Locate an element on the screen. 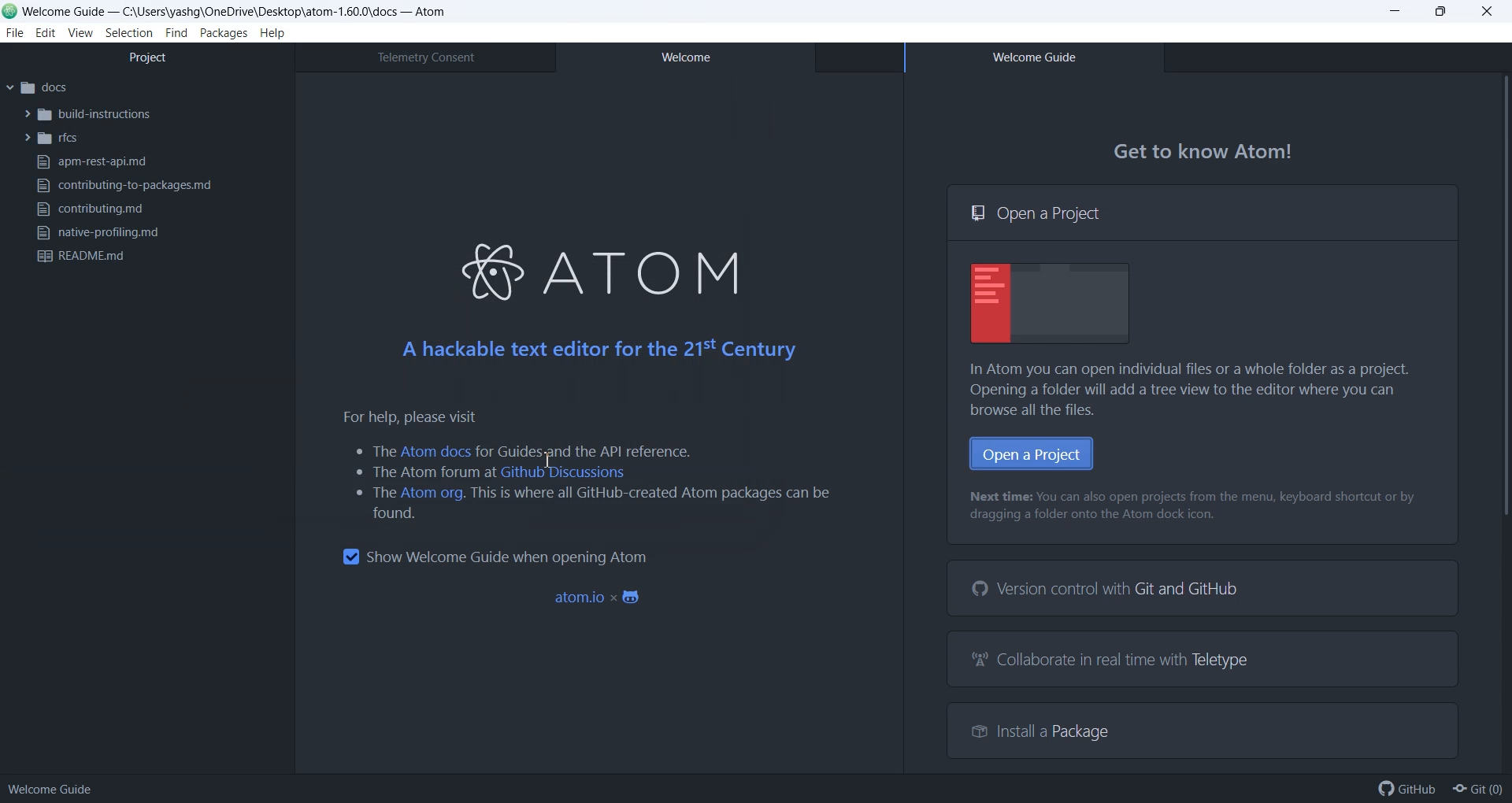 The width and height of the screenshot is (1512, 803). atom.io is located at coordinates (600, 598).